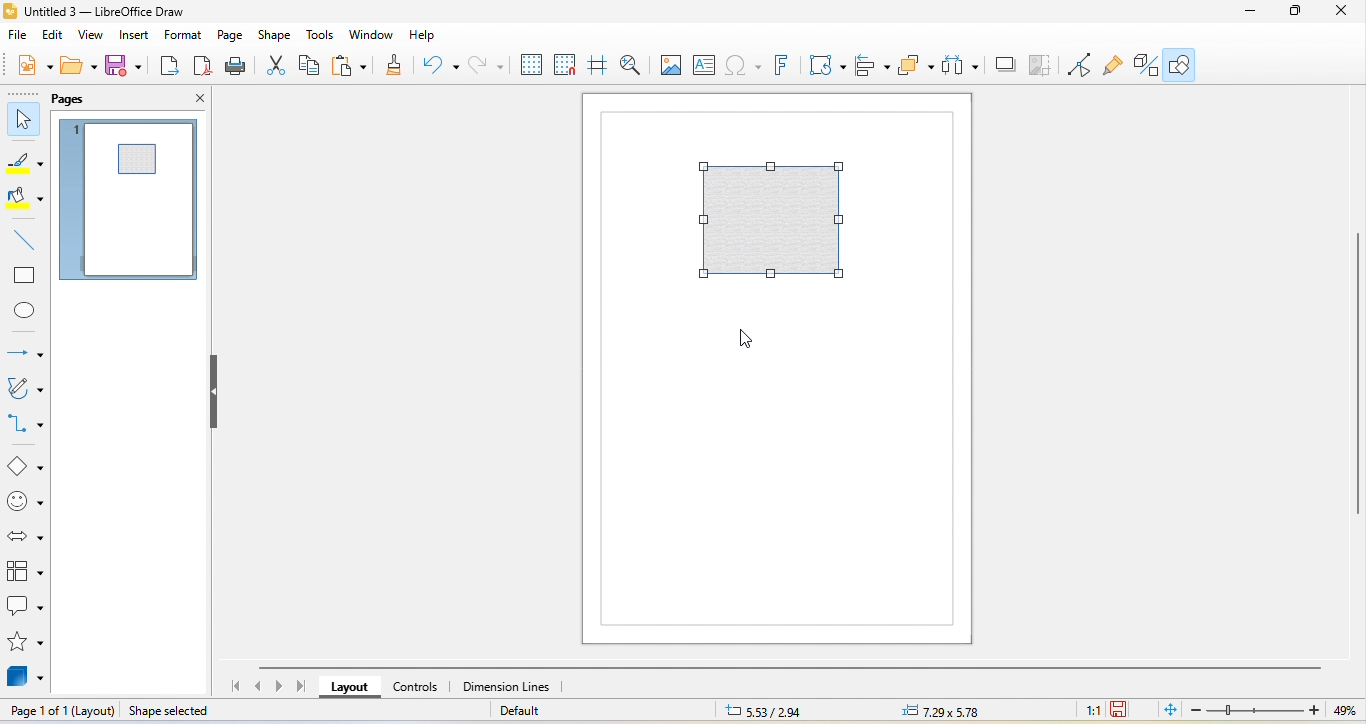  Describe the element at coordinates (353, 68) in the screenshot. I see `paste` at that location.